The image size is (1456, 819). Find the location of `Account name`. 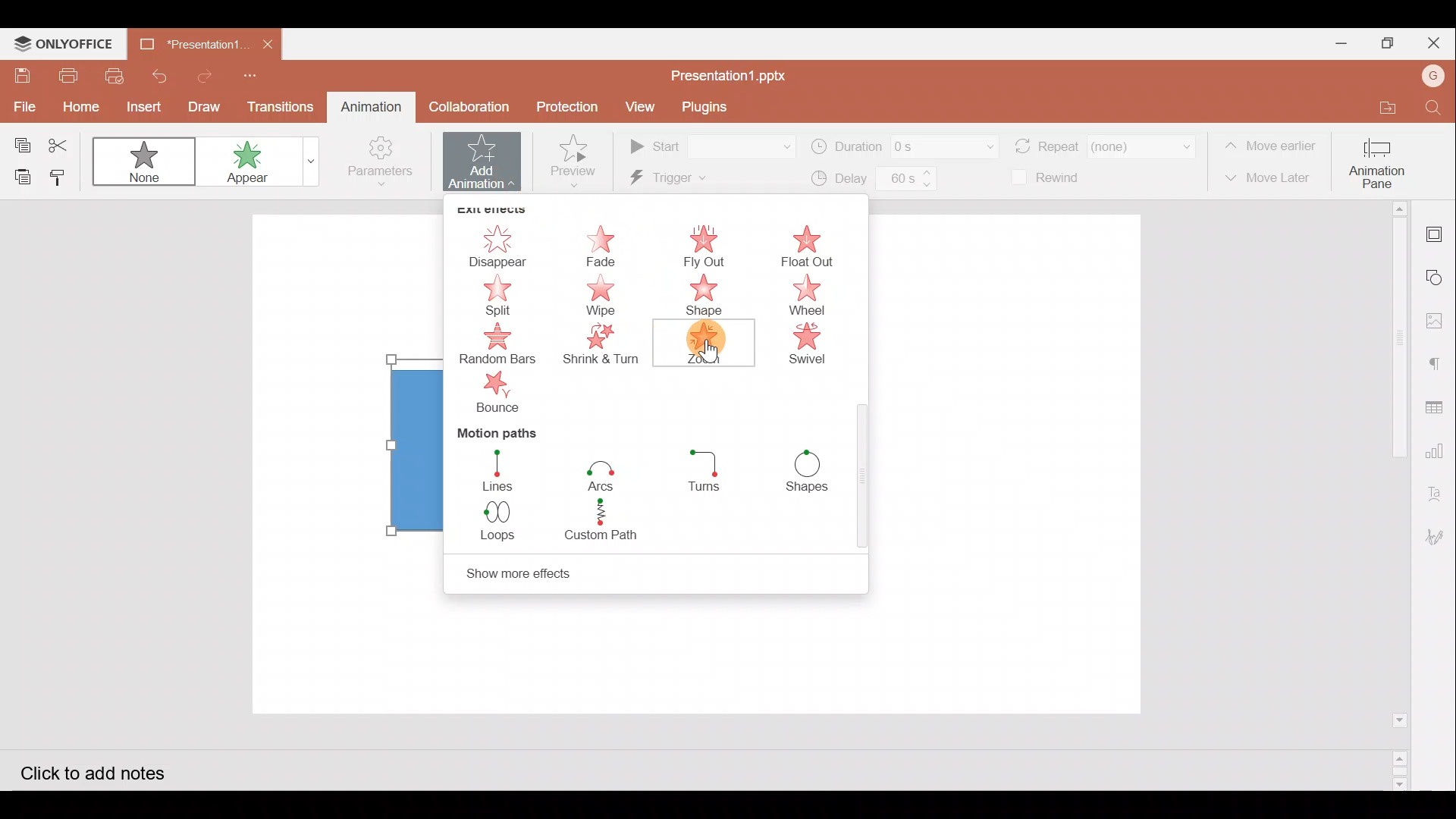

Account name is located at coordinates (1428, 76).